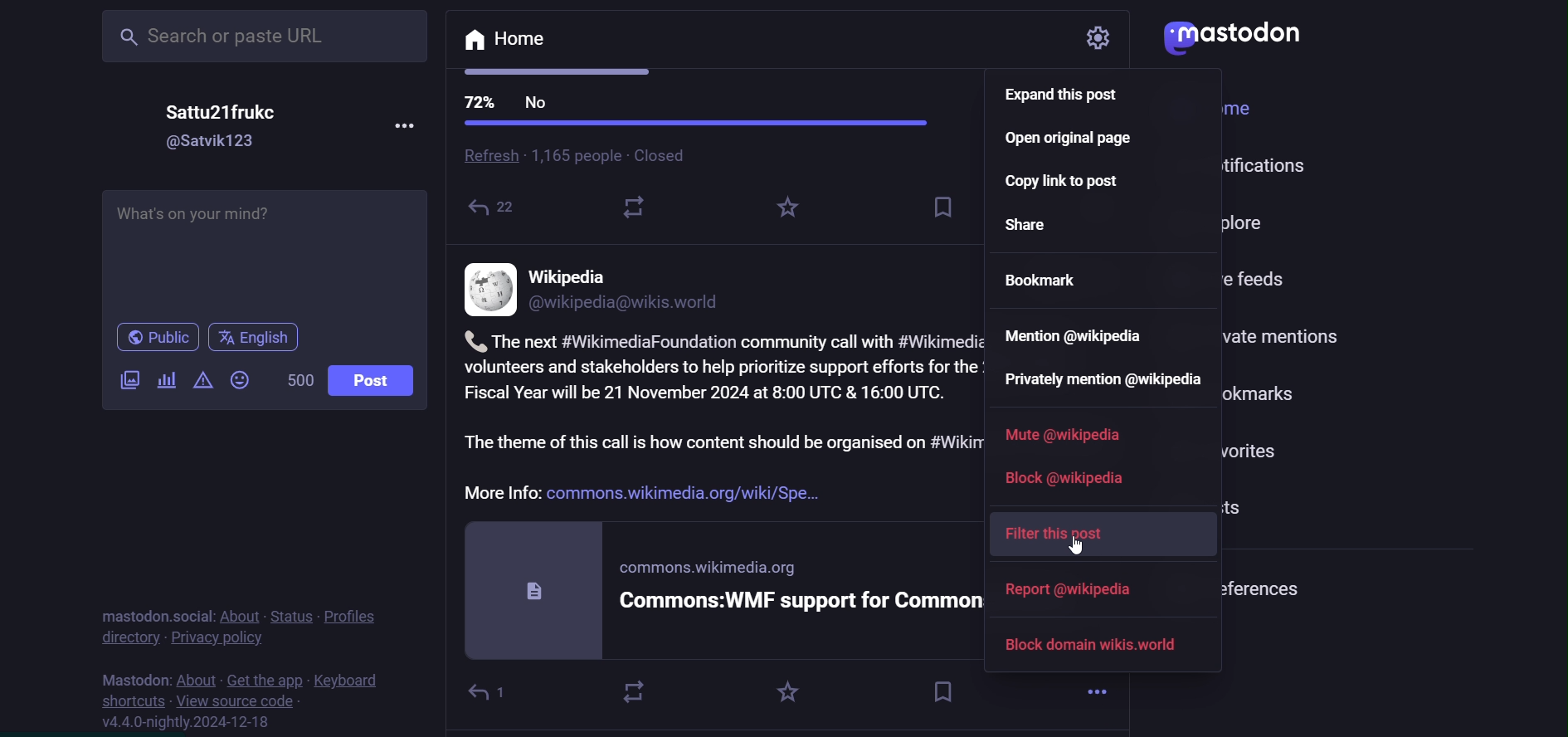 The image size is (1568, 737). Describe the element at coordinates (1098, 379) in the screenshot. I see `private mention` at that location.